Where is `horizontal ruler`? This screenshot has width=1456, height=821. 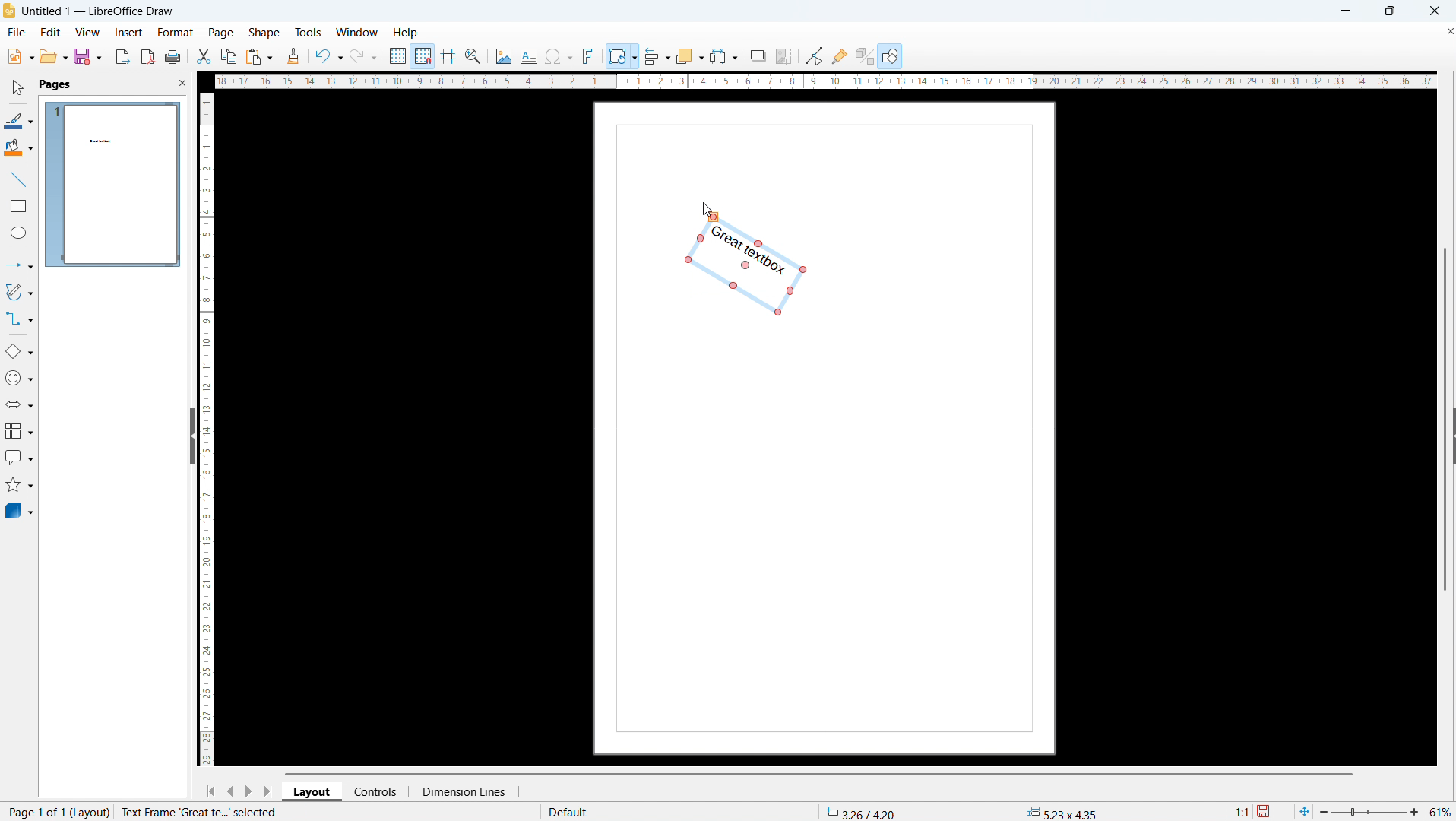
horizontal ruler is located at coordinates (825, 83).